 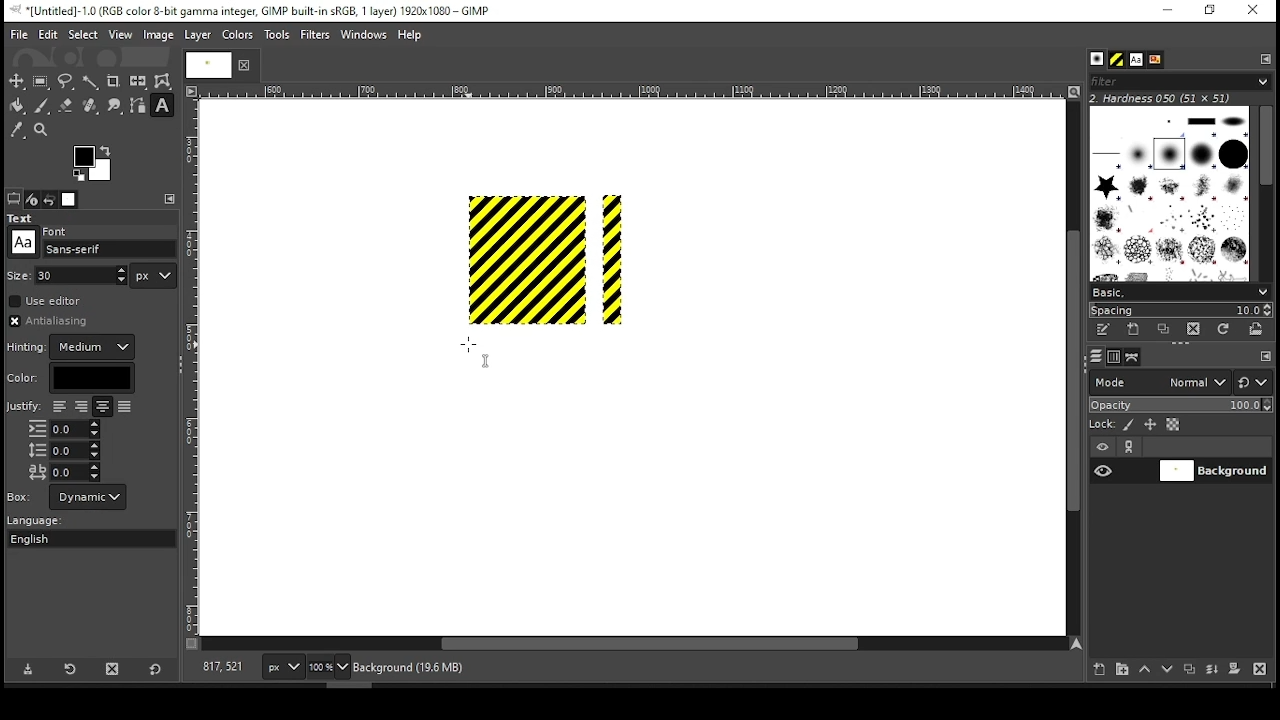 I want to click on select brush preset, so click(x=1182, y=291).